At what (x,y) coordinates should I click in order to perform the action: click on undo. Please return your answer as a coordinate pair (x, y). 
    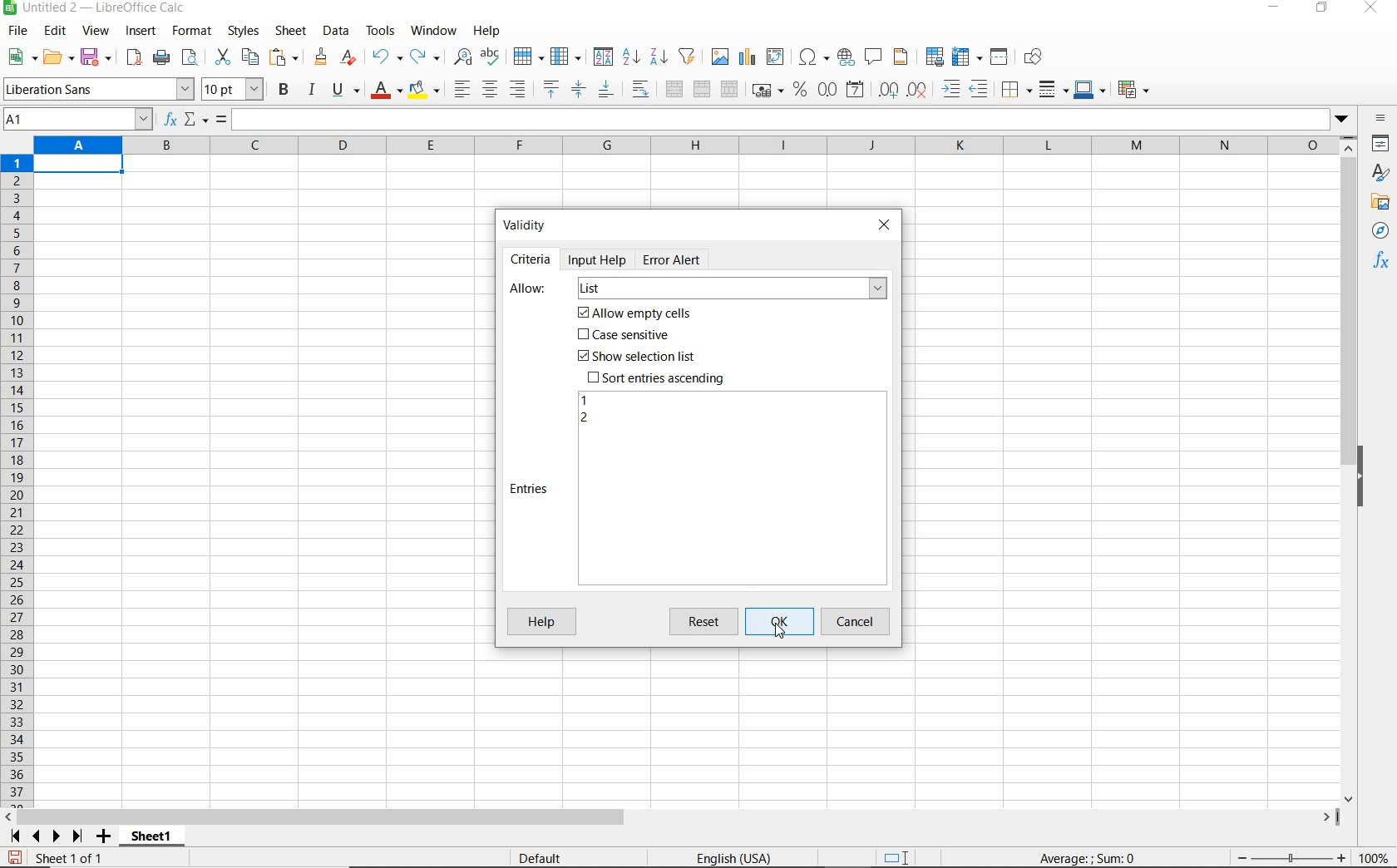
    Looking at the image, I should click on (386, 57).